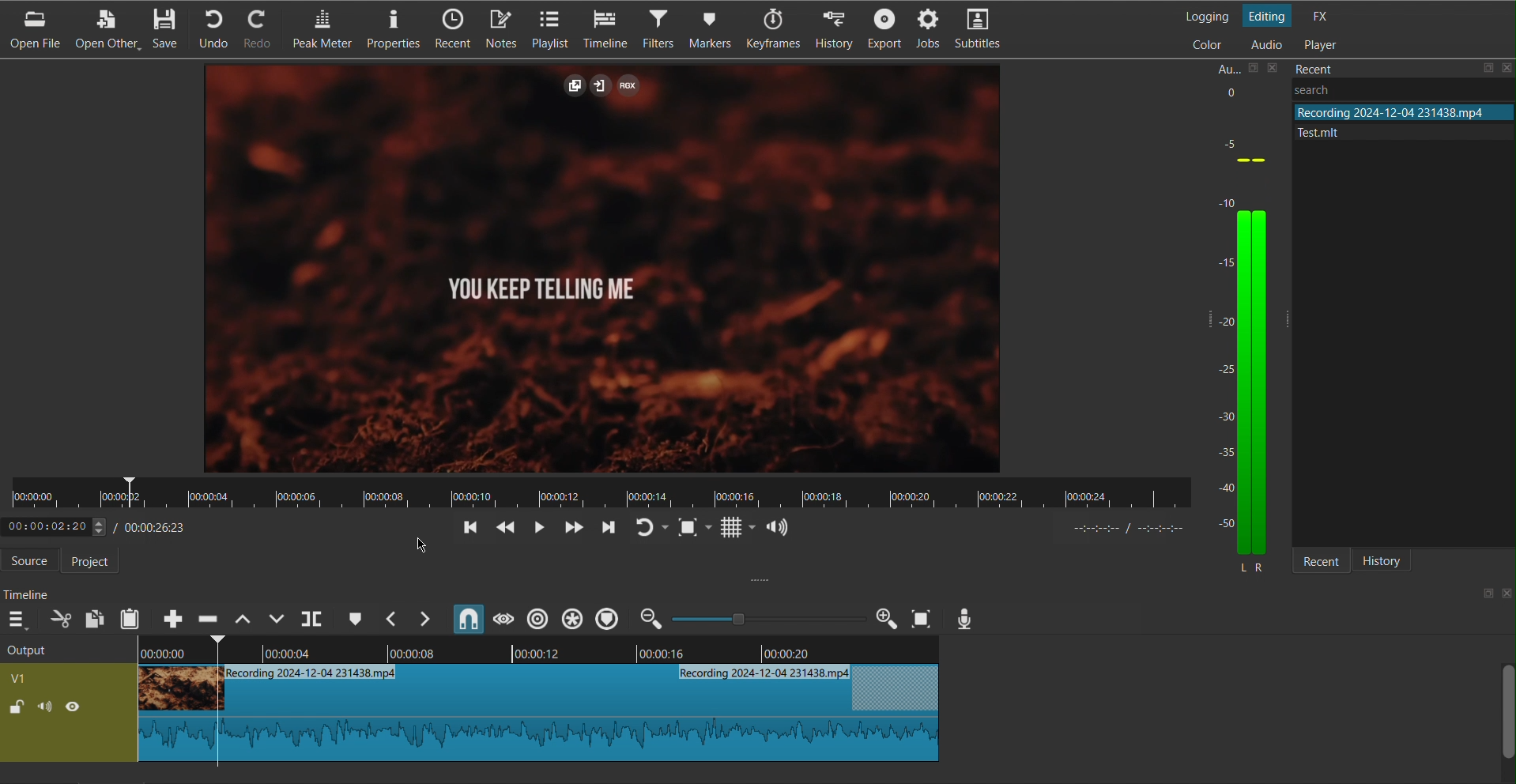  I want to click on Color, so click(1205, 43).